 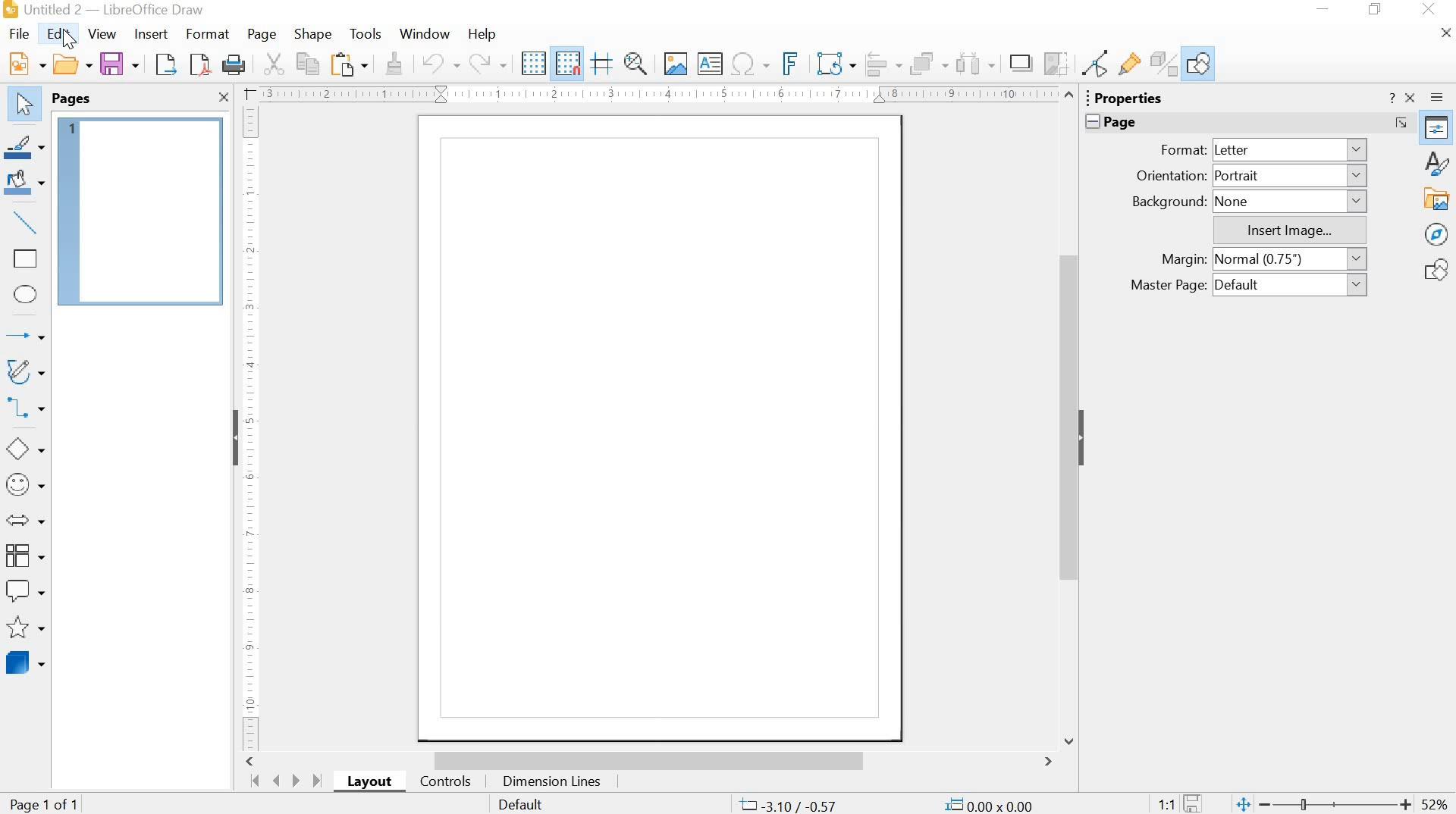 I want to click on Insert Image, so click(x=1290, y=230).